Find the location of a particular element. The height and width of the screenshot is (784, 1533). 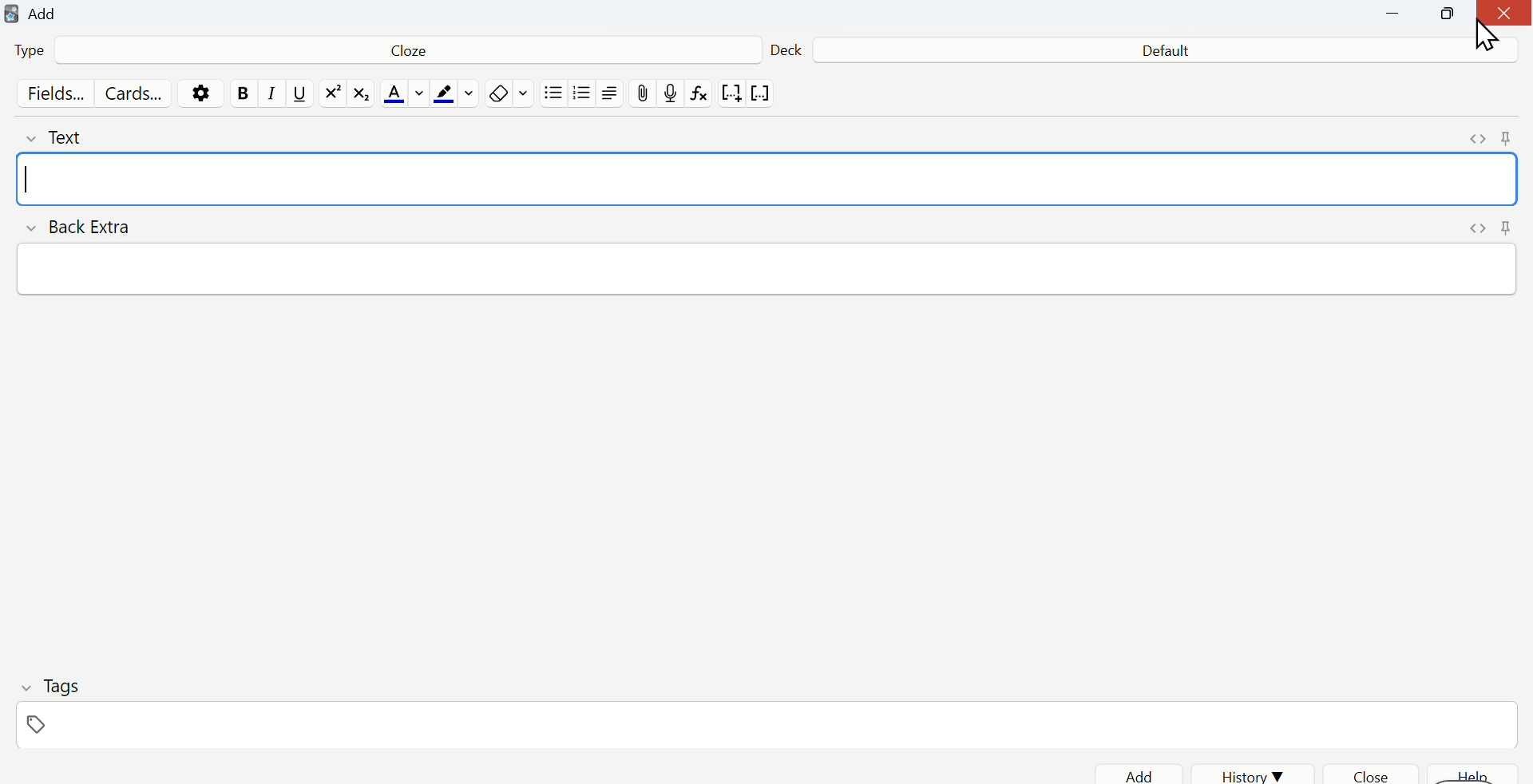

help is located at coordinates (1480, 775).